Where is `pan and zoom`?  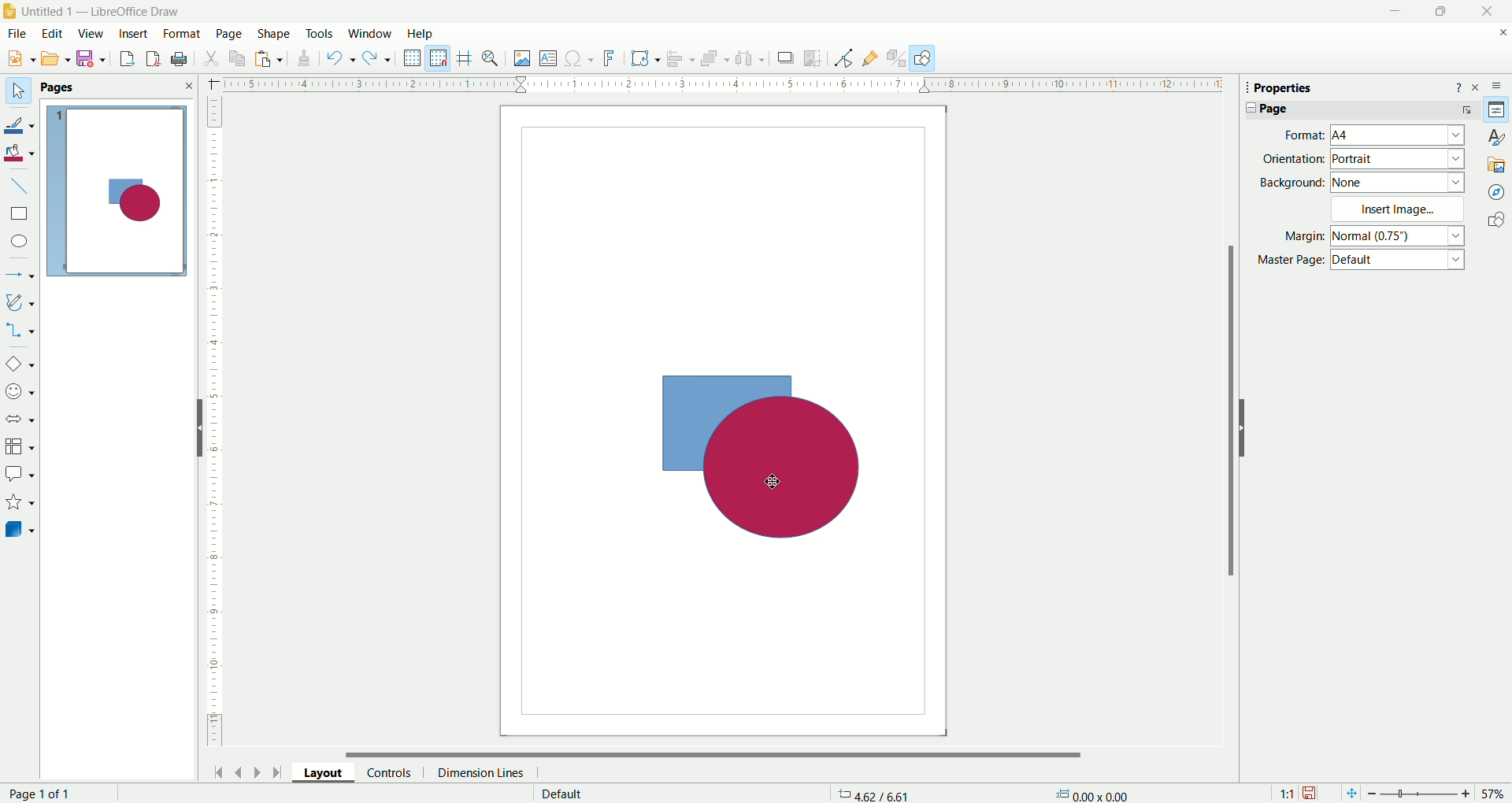
pan and zoom is located at coordinates (494, 58).